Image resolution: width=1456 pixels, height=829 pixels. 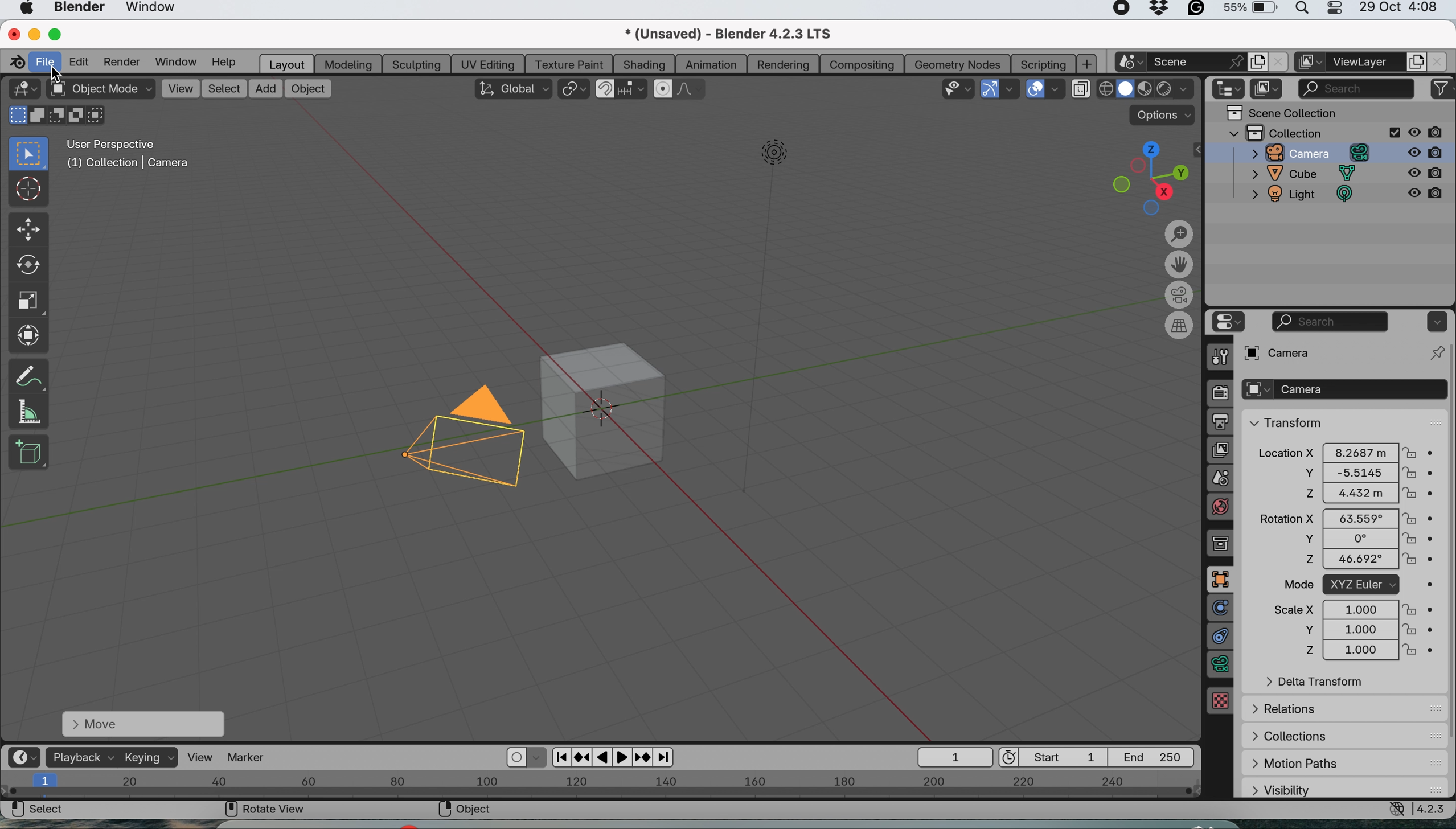 What do you see at coordinates (457, 438) in the screenshot?
I see `camera` at bounding box center [457, 438].